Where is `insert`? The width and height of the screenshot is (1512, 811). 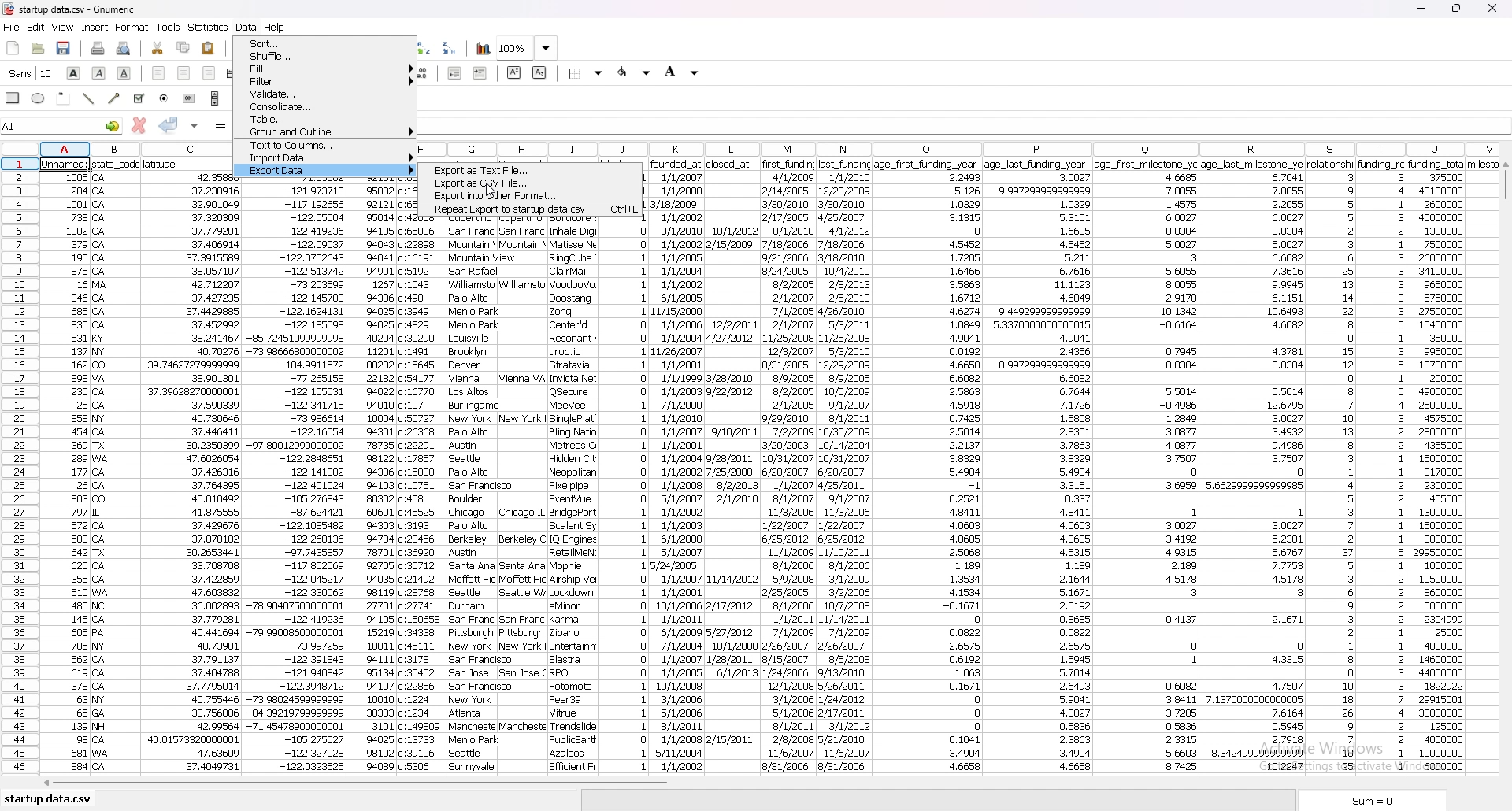 insert is located at coordinates (94, 28).